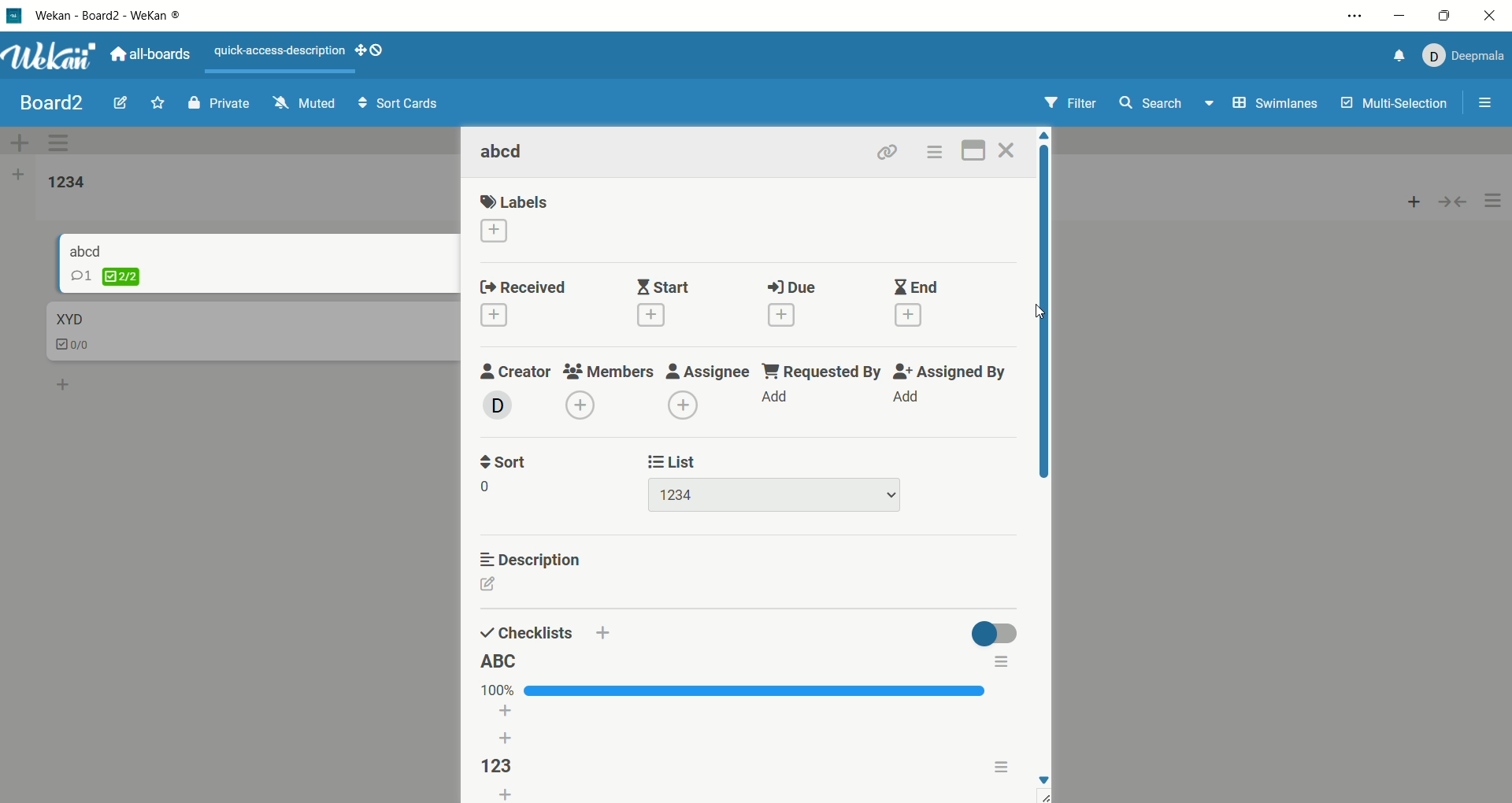  What do you see at coordinates (494, 485) in the screenshot?
I see `0` at bounding box center [494, 485].